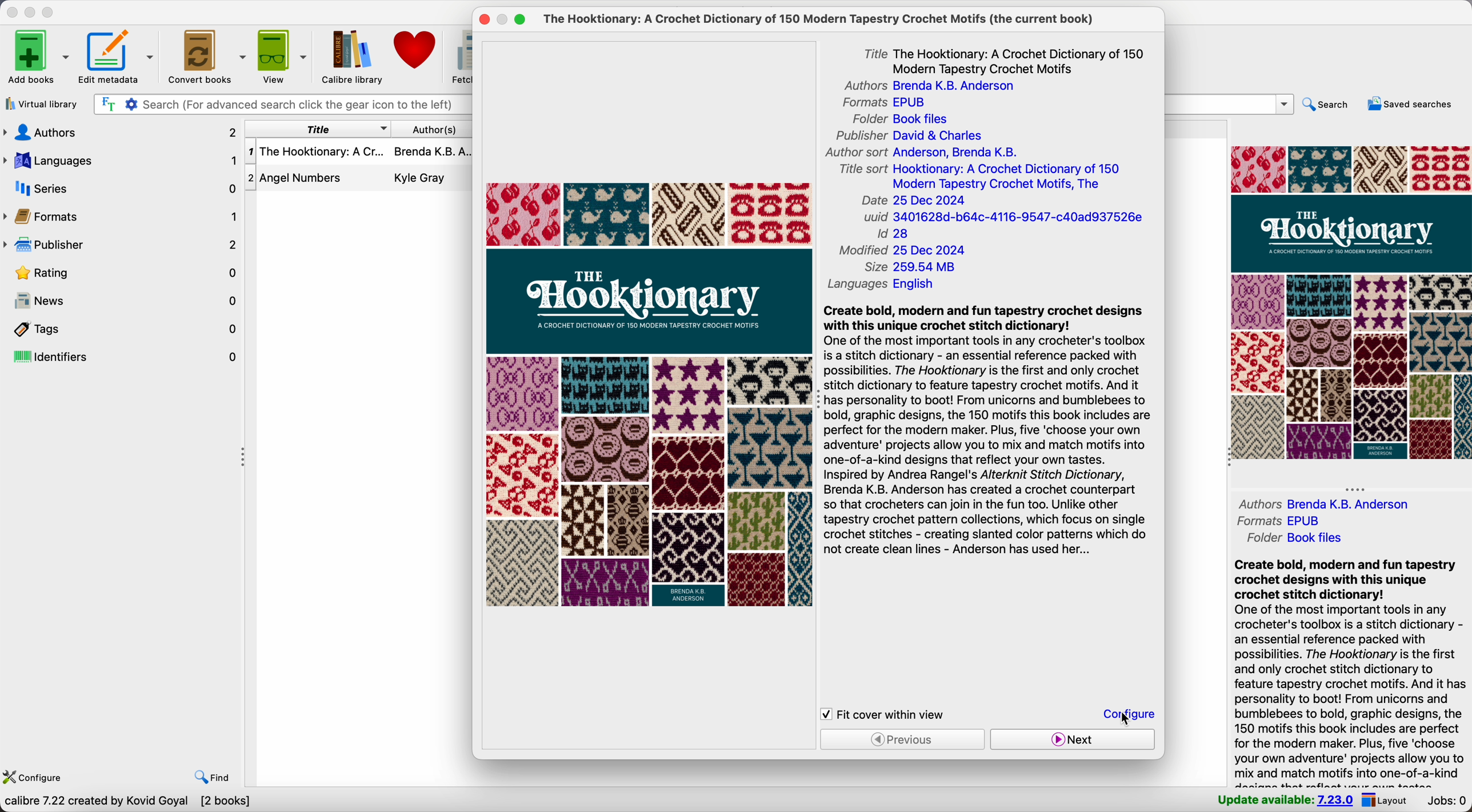 The height and width of the screenshot is (812, 1472). What do you see at coordinates (360, 181) in the screenshot?
I see `Angel numbers book details` at bounding box center [360, 181].